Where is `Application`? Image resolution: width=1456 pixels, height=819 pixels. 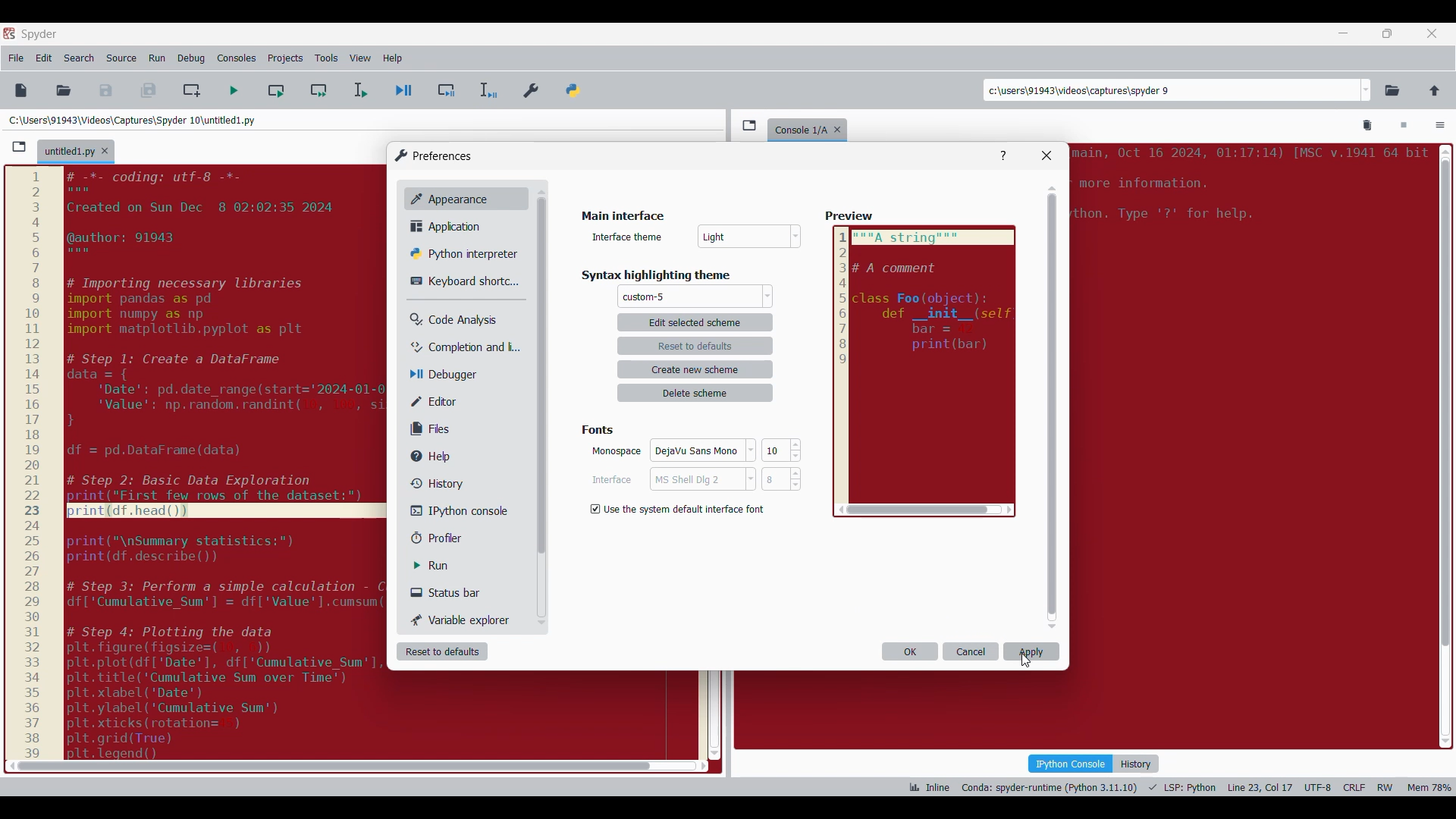 Application is located at coordinates (450, 226).